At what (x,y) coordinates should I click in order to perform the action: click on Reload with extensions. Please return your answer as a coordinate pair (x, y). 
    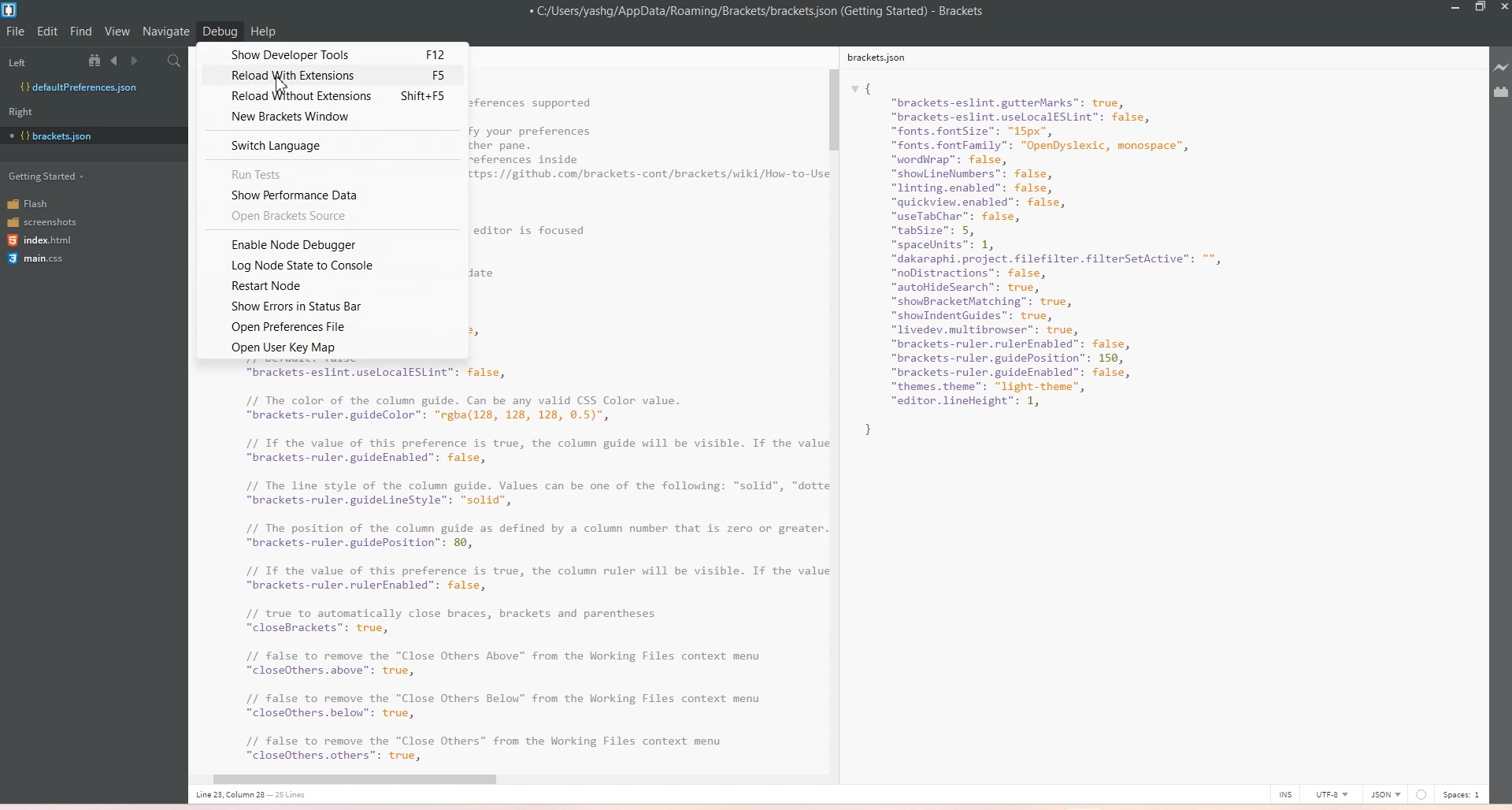
    Looking at the image, I should click on (332, 74).